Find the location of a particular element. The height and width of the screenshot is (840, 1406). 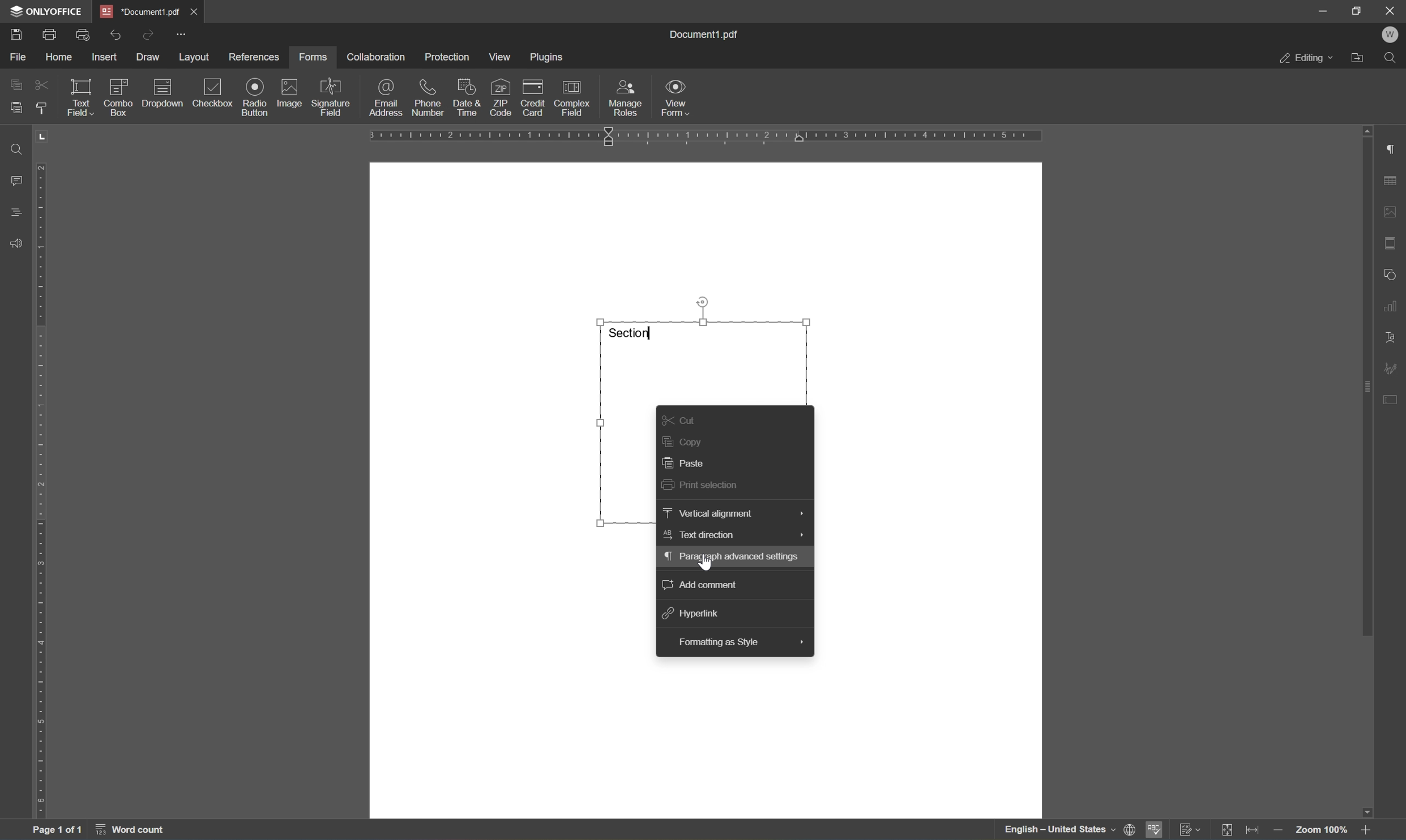

zoom out is located at coordinates (1281, 830).